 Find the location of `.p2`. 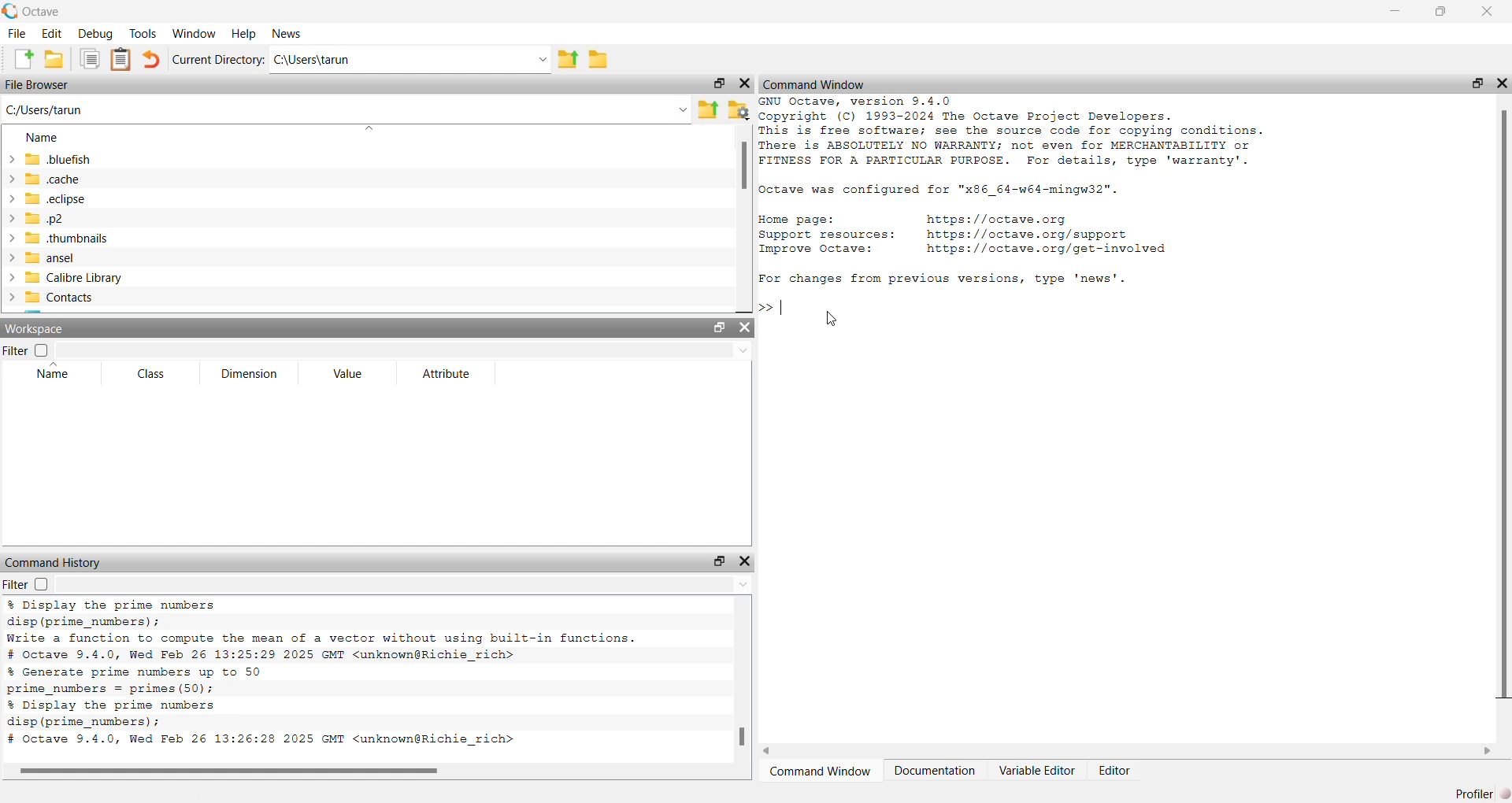

.p2 is located at coordinates (46, 219).